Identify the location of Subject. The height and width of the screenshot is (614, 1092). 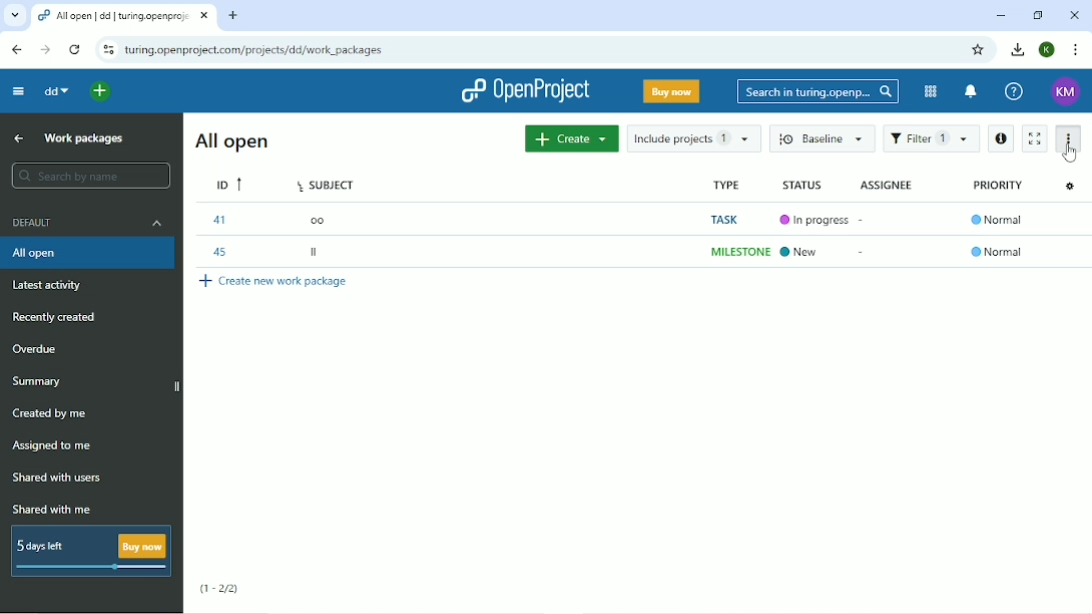
(330, 220).